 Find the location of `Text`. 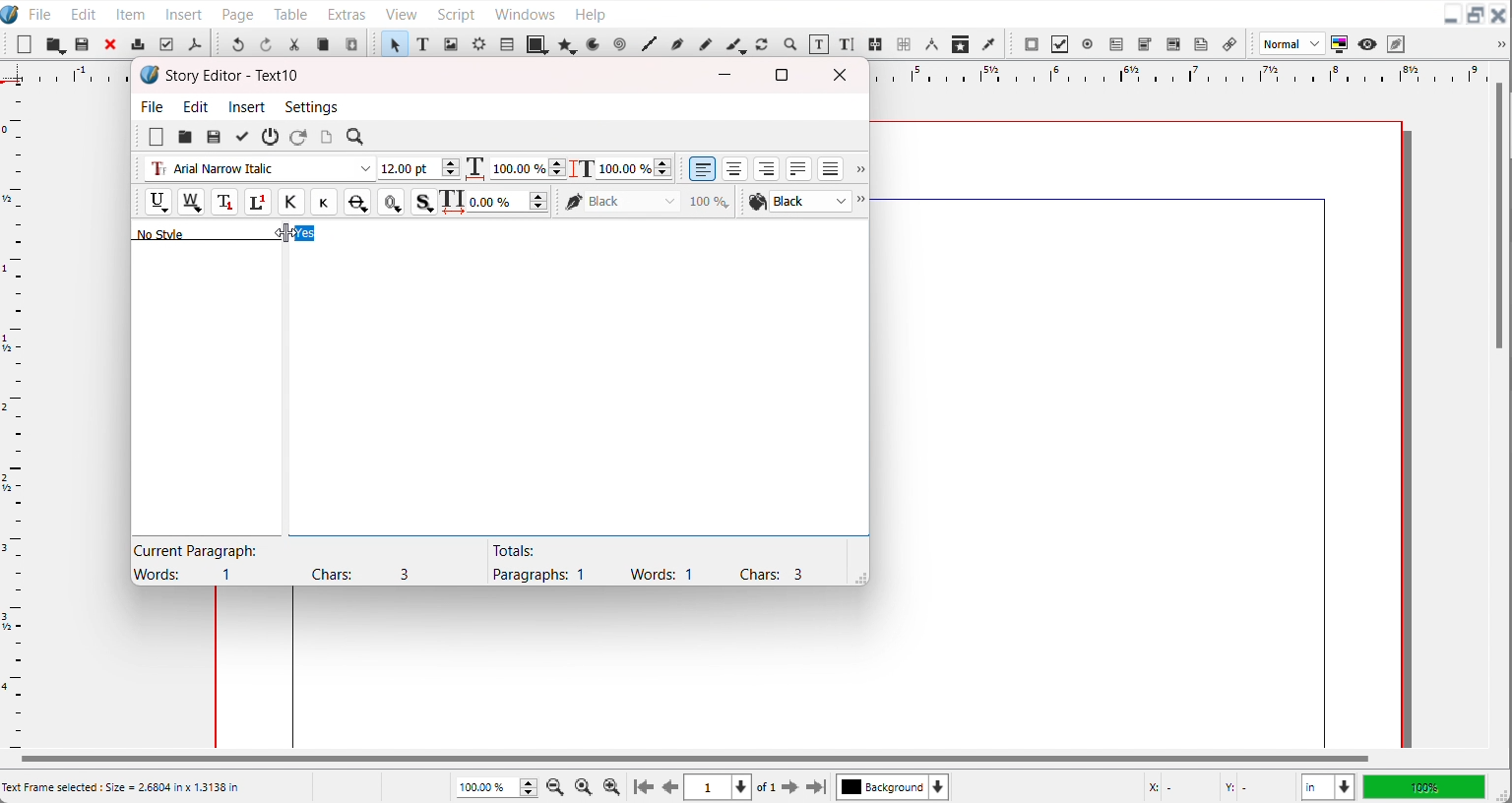

Text is located at coordinates (647, 562).